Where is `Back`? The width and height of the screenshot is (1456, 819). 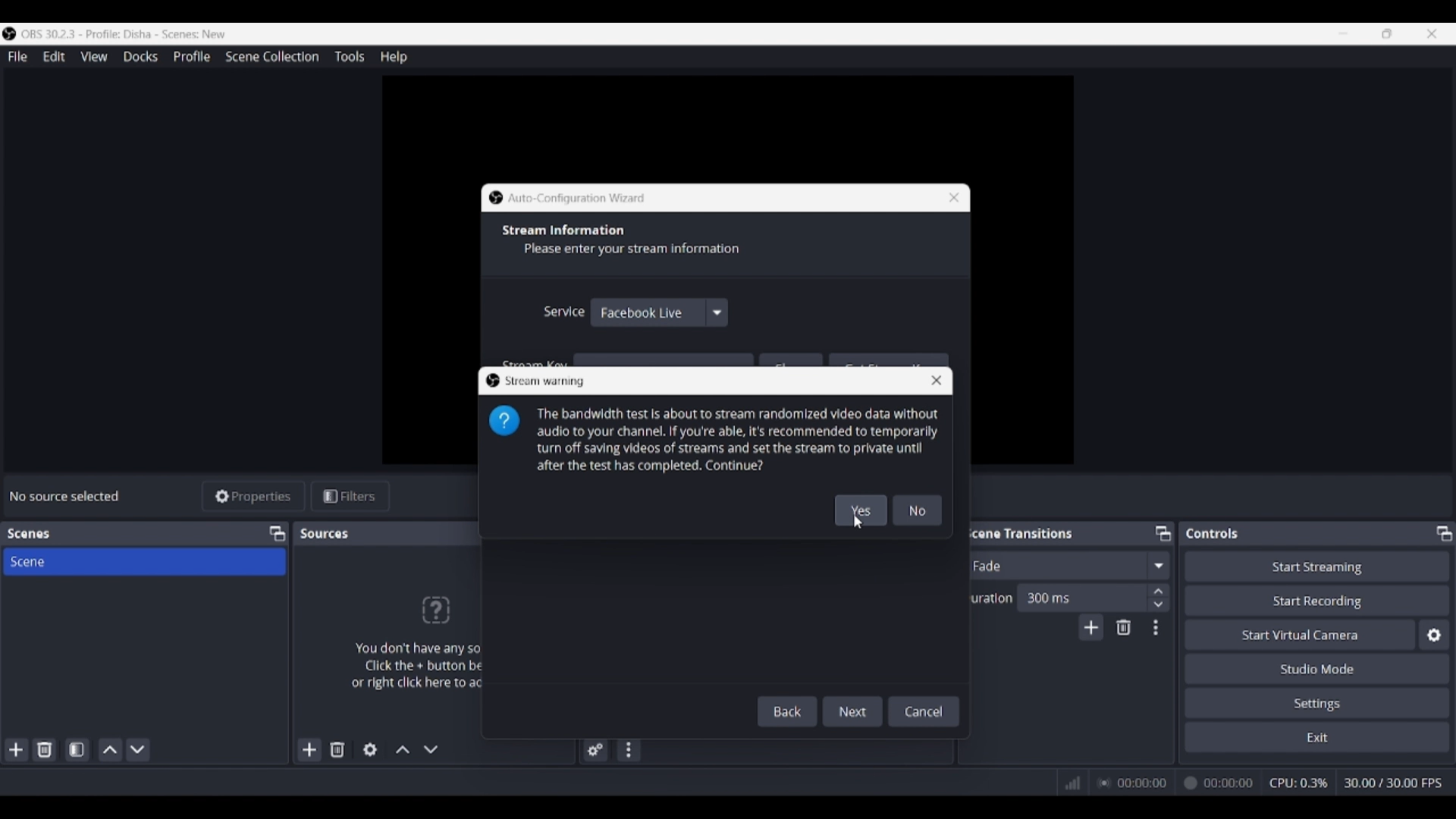 Back is located at coordinates (790, 711).